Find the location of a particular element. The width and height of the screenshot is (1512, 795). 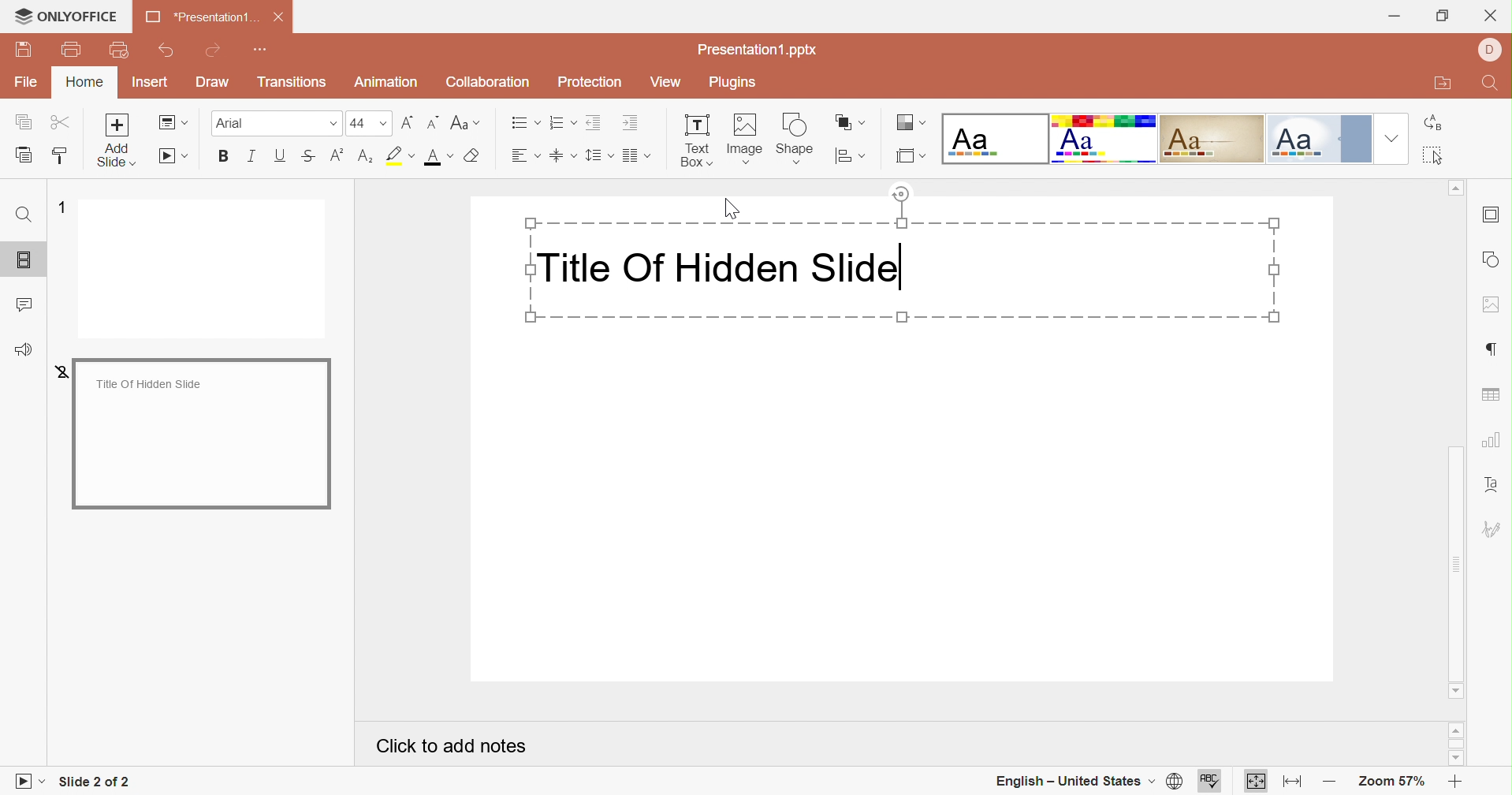

Insert columns is located at coordinates (637, 156).